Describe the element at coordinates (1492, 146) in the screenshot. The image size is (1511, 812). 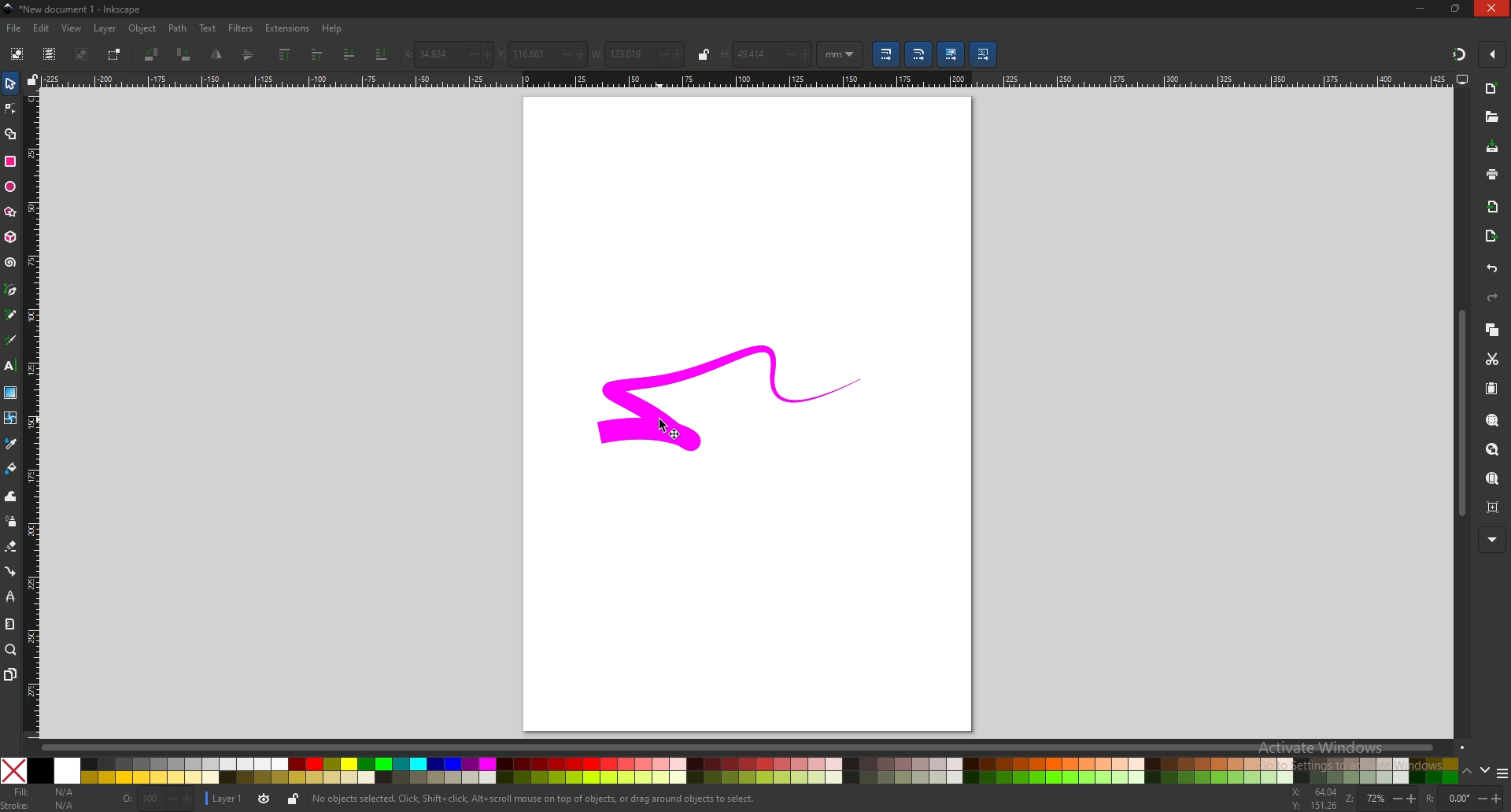
I see `save` at that location.